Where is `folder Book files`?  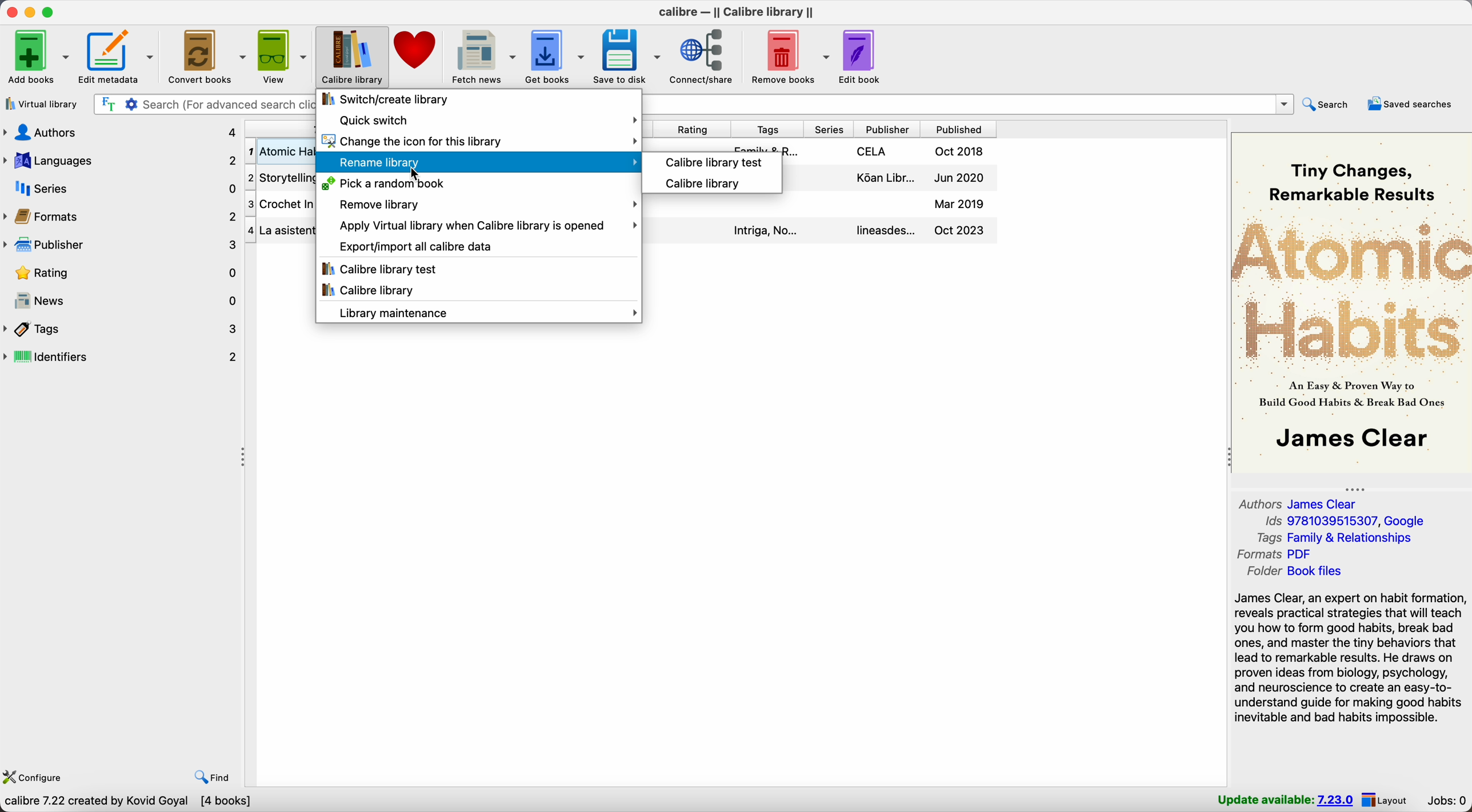
folder Book files is located at coordinates (1306, 571).